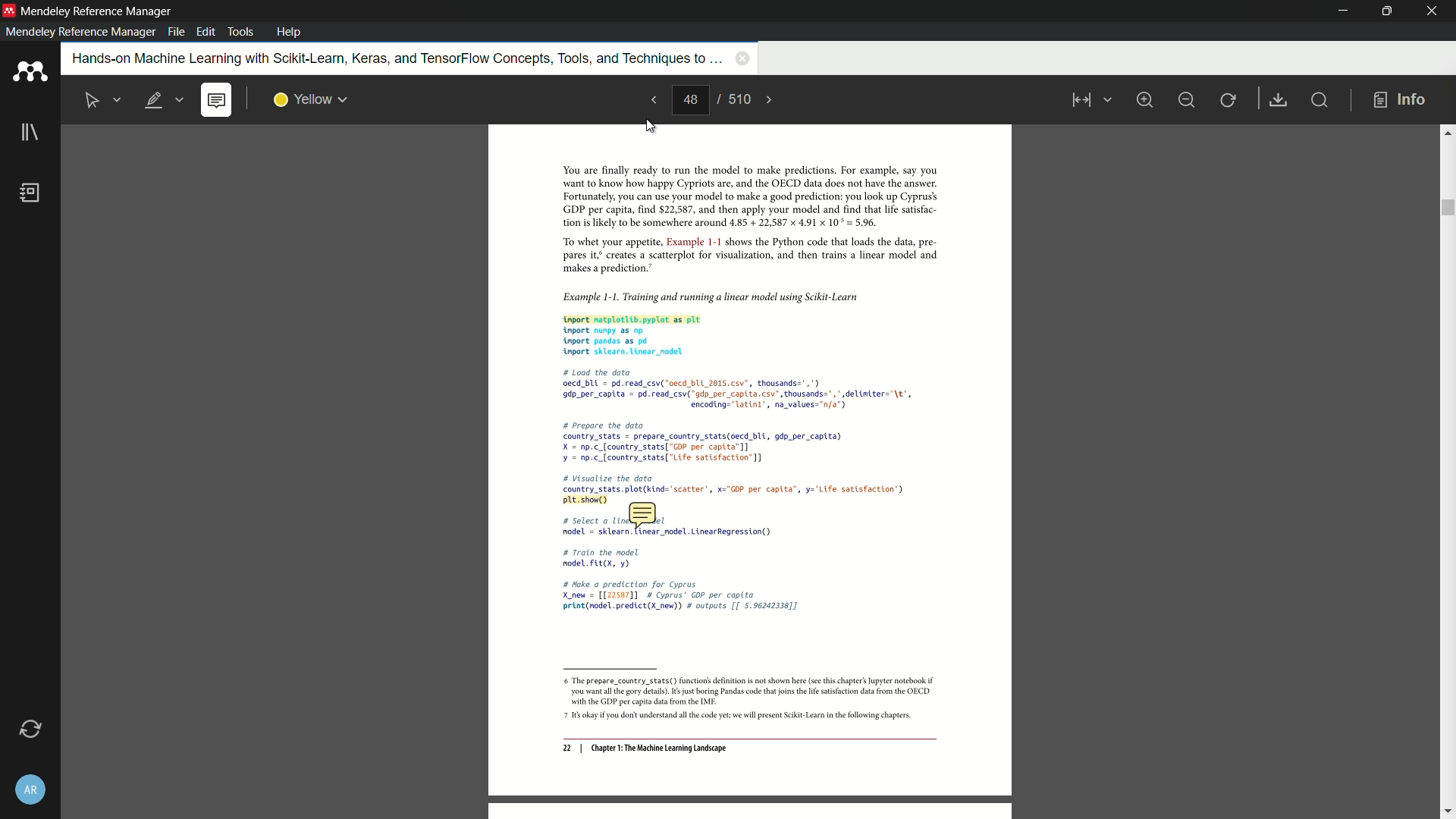 The height and width of the screenshot is (819, 1456). What do you see at coordinates (1186, 100) in the screenshot?
I see `minimize` at bounding box center [1186, 100].